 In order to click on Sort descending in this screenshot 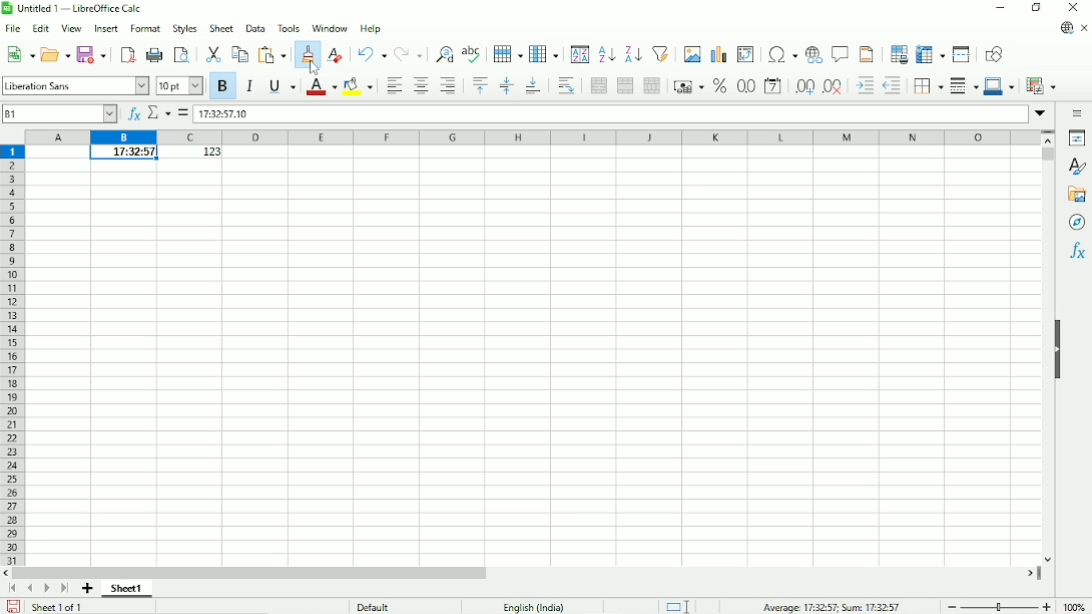, I will do `click(634, 53)`.